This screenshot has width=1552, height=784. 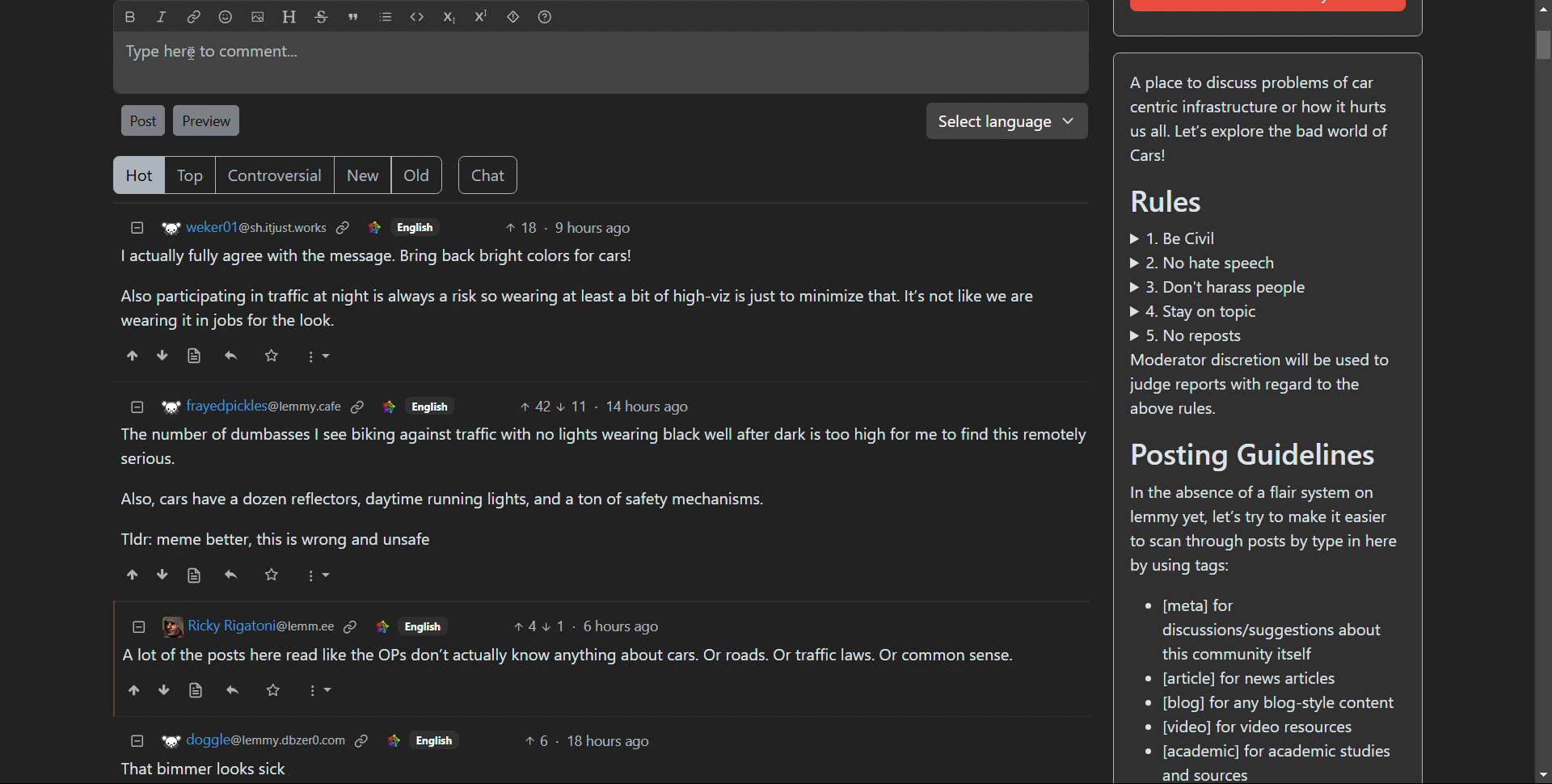 What do you see at coordinates (430, 404) in the screenshot?
I see `English` at bounding box center [430, 404].